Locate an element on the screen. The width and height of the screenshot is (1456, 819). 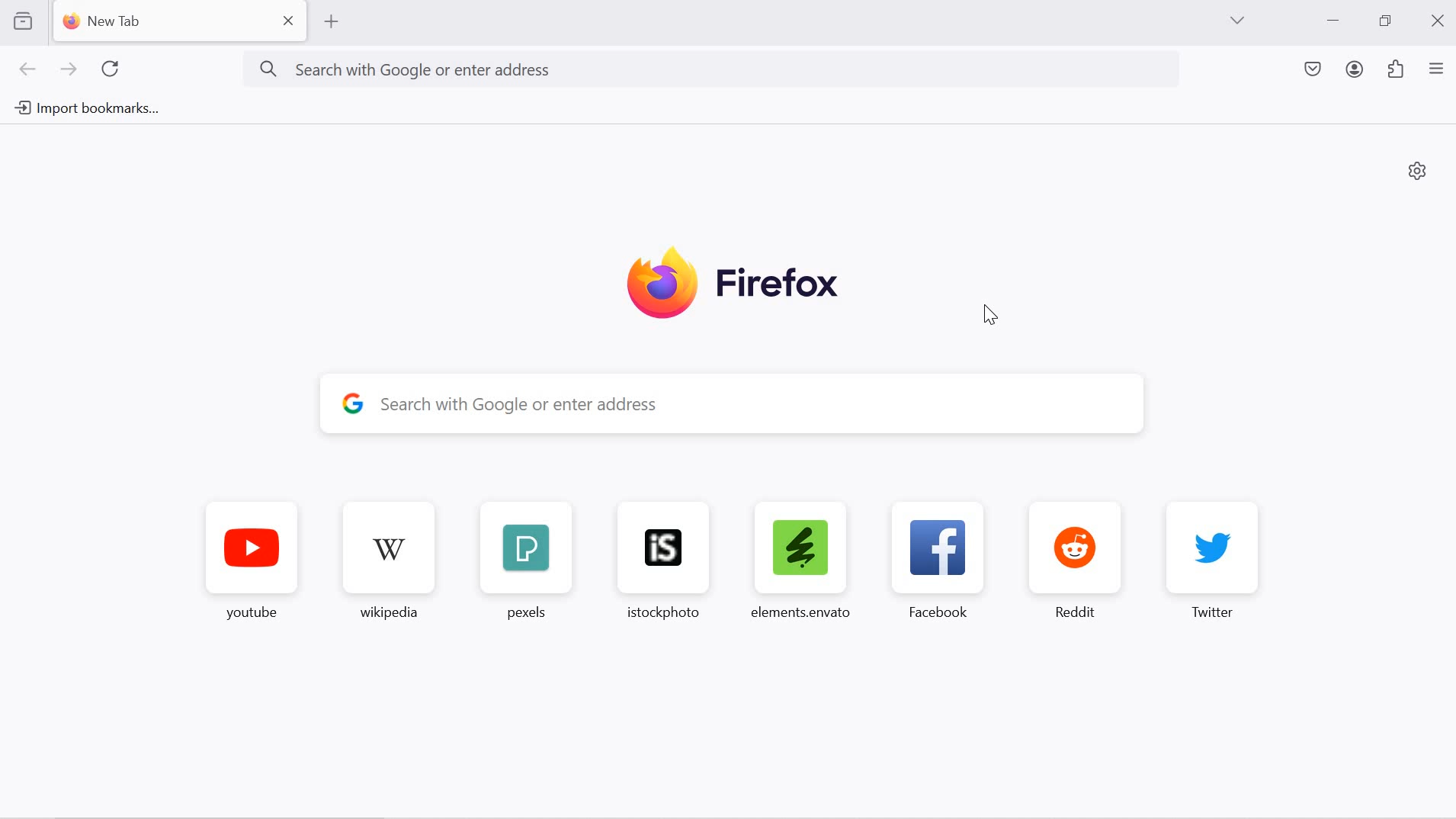
Import bookmarks is located at coordinates (86, 104).